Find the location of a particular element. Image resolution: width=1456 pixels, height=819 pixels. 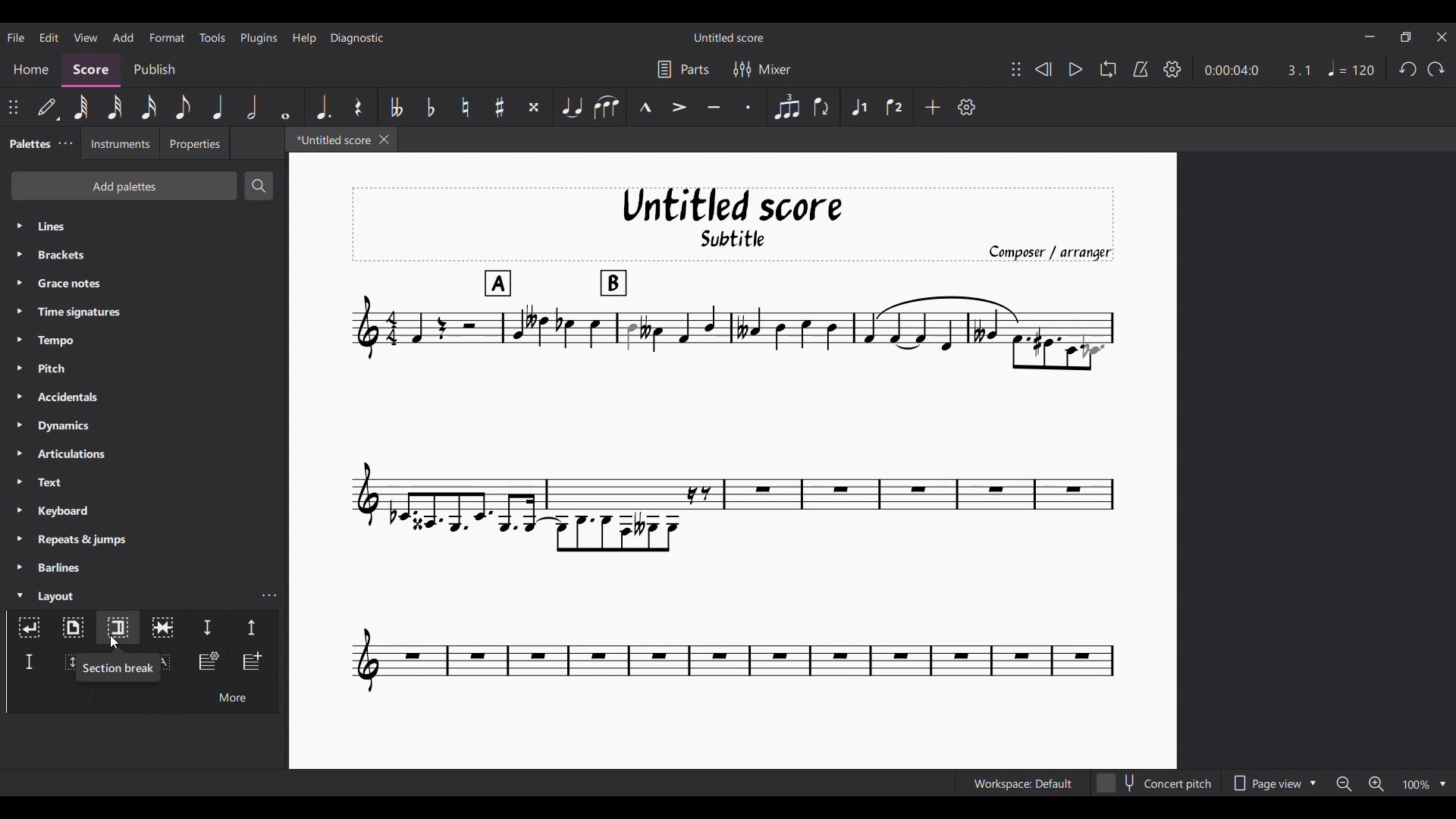

Toggle double flat is located at coordinates (394, 107).